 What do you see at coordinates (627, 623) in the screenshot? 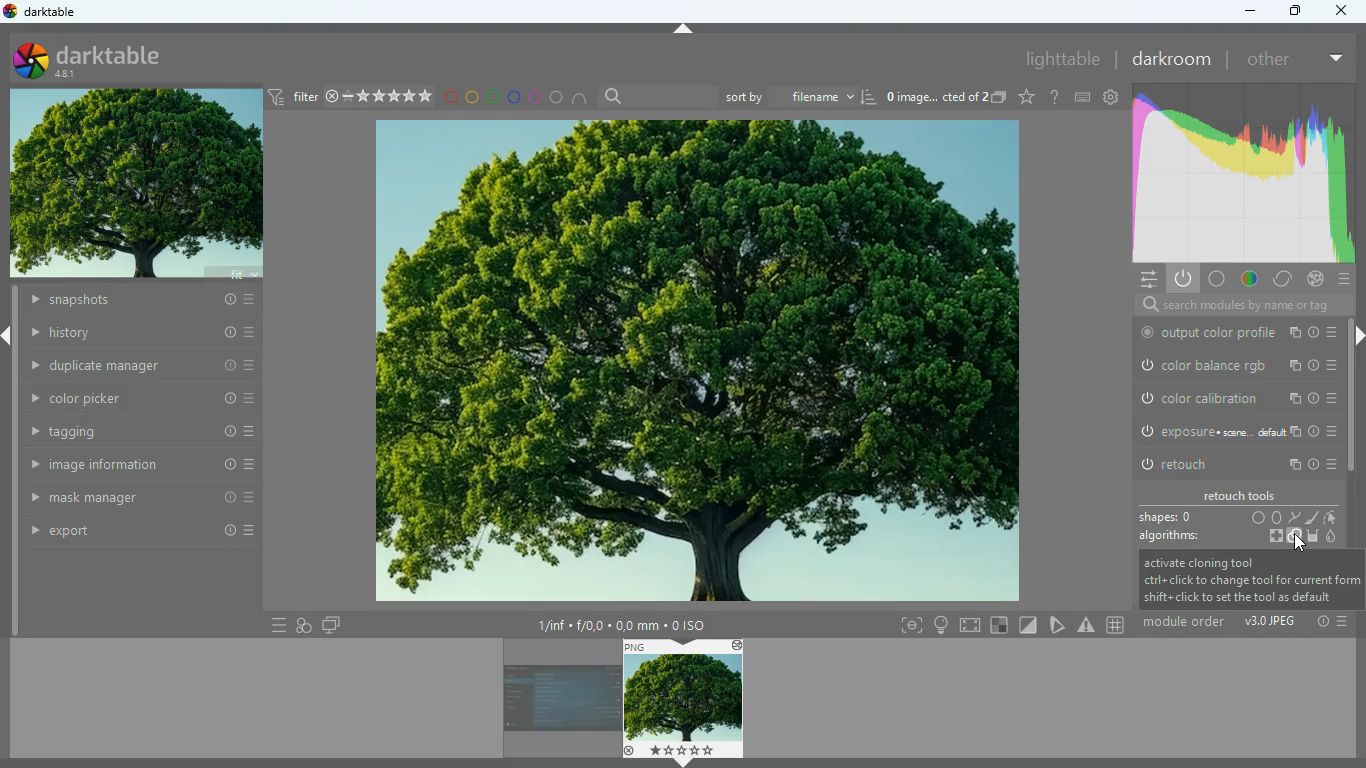
I see `image details` at bounding box center [627, 623].